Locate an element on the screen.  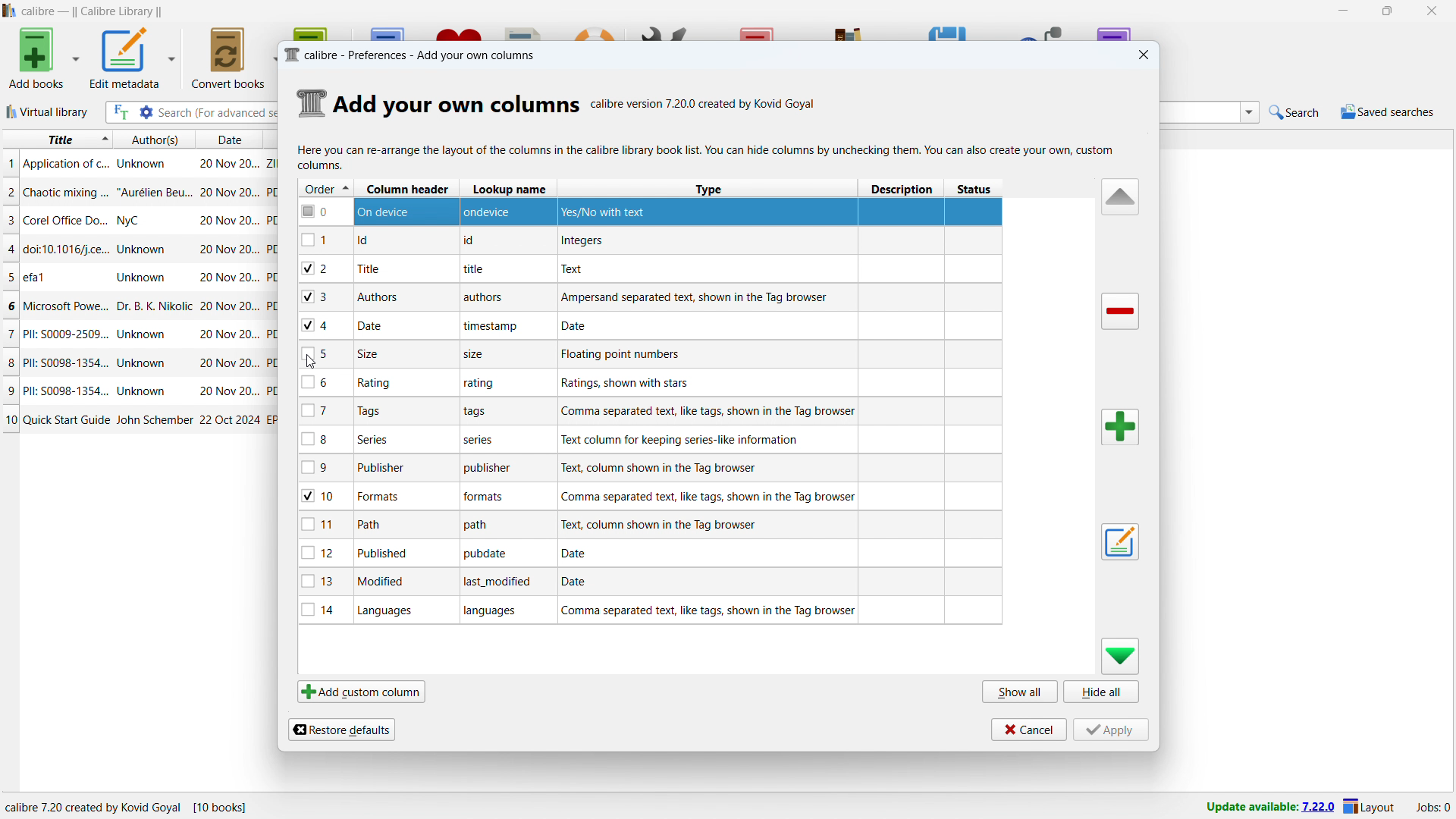
4 is located at coordinates (324, 327).